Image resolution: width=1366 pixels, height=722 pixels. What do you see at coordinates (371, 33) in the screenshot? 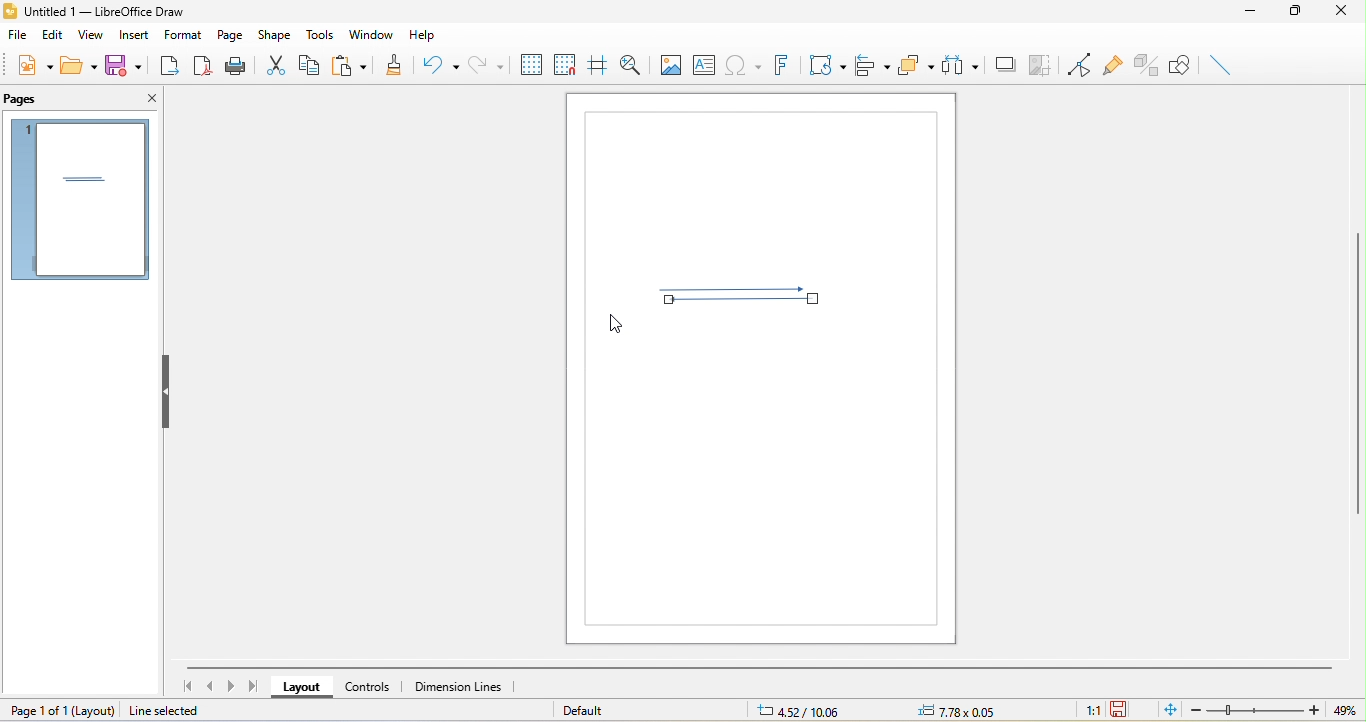
I see `window` at bounding box center [371, 33].